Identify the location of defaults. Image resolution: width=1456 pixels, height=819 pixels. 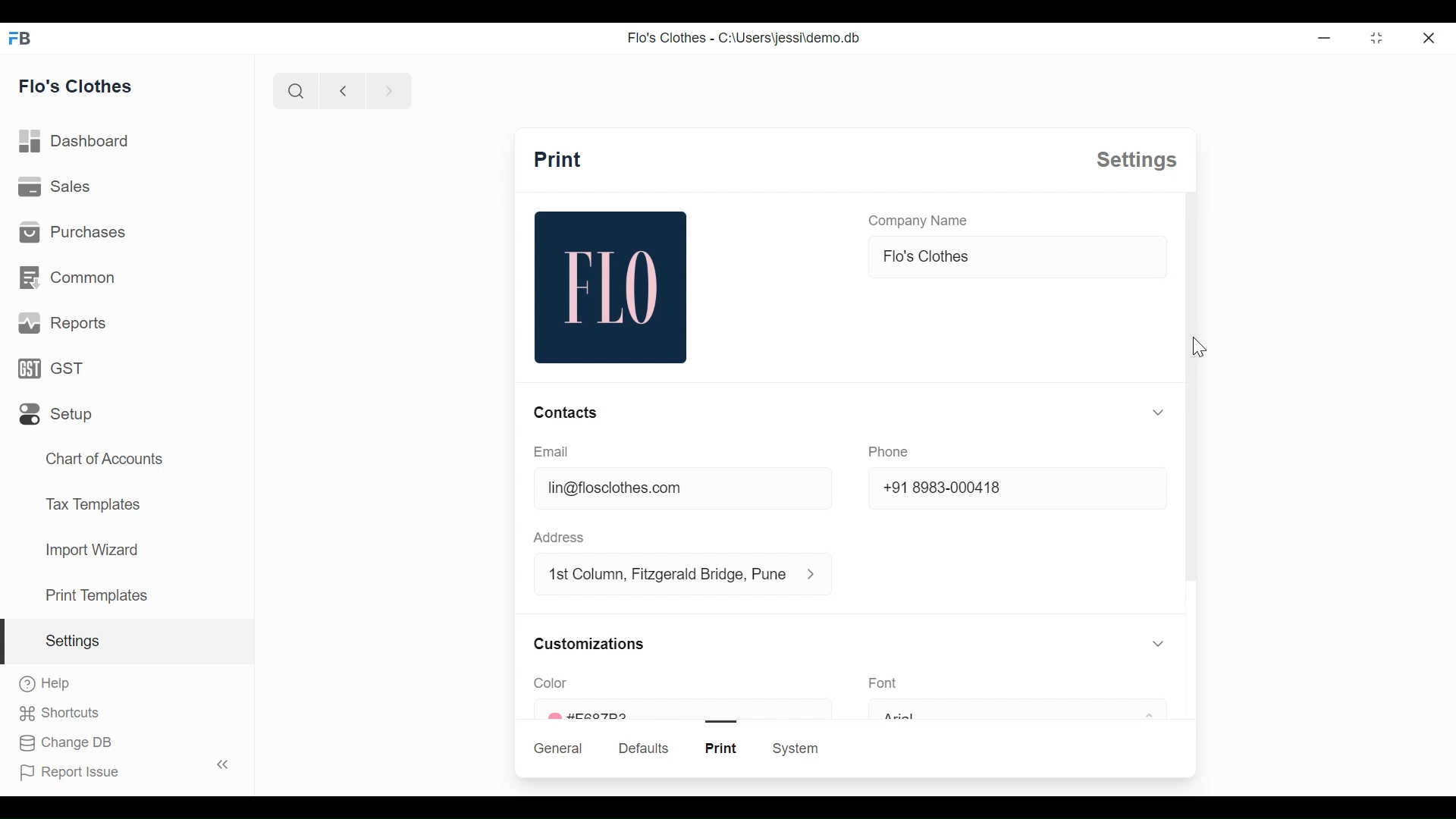
(645, 748).